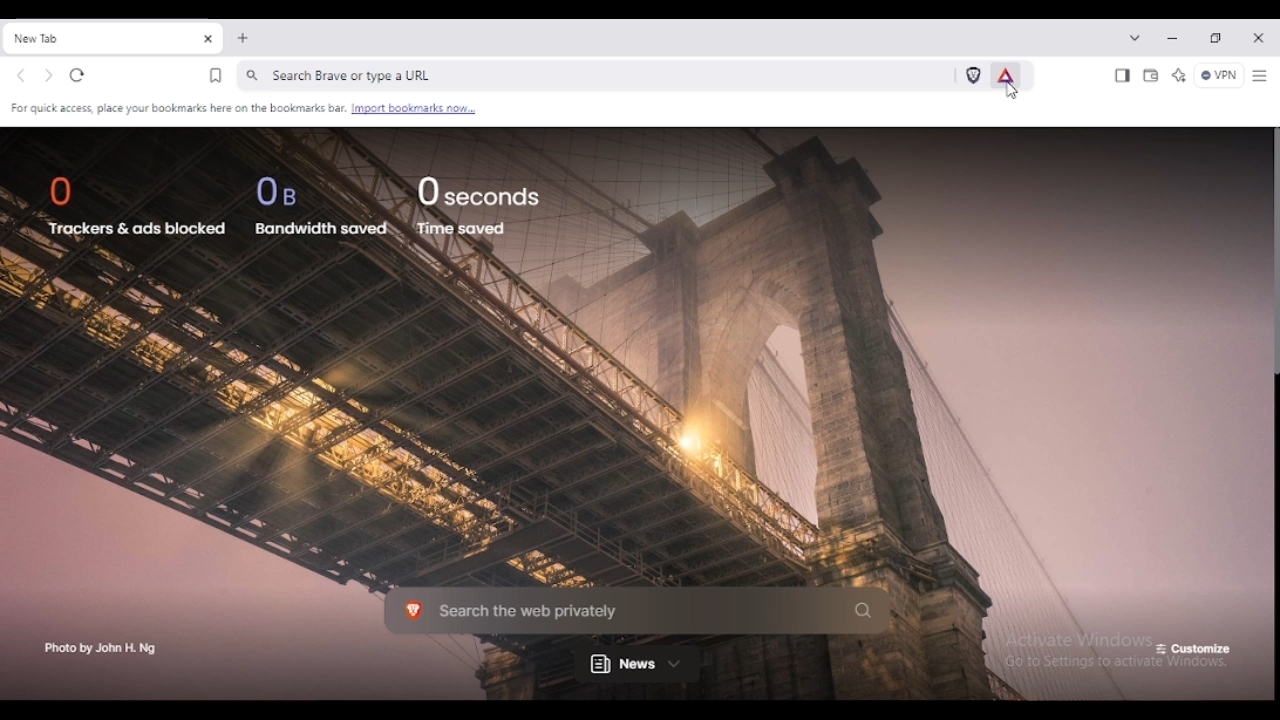 This screenshot has height=720, width=1280. I want to click on close tab, so click(209, 40).